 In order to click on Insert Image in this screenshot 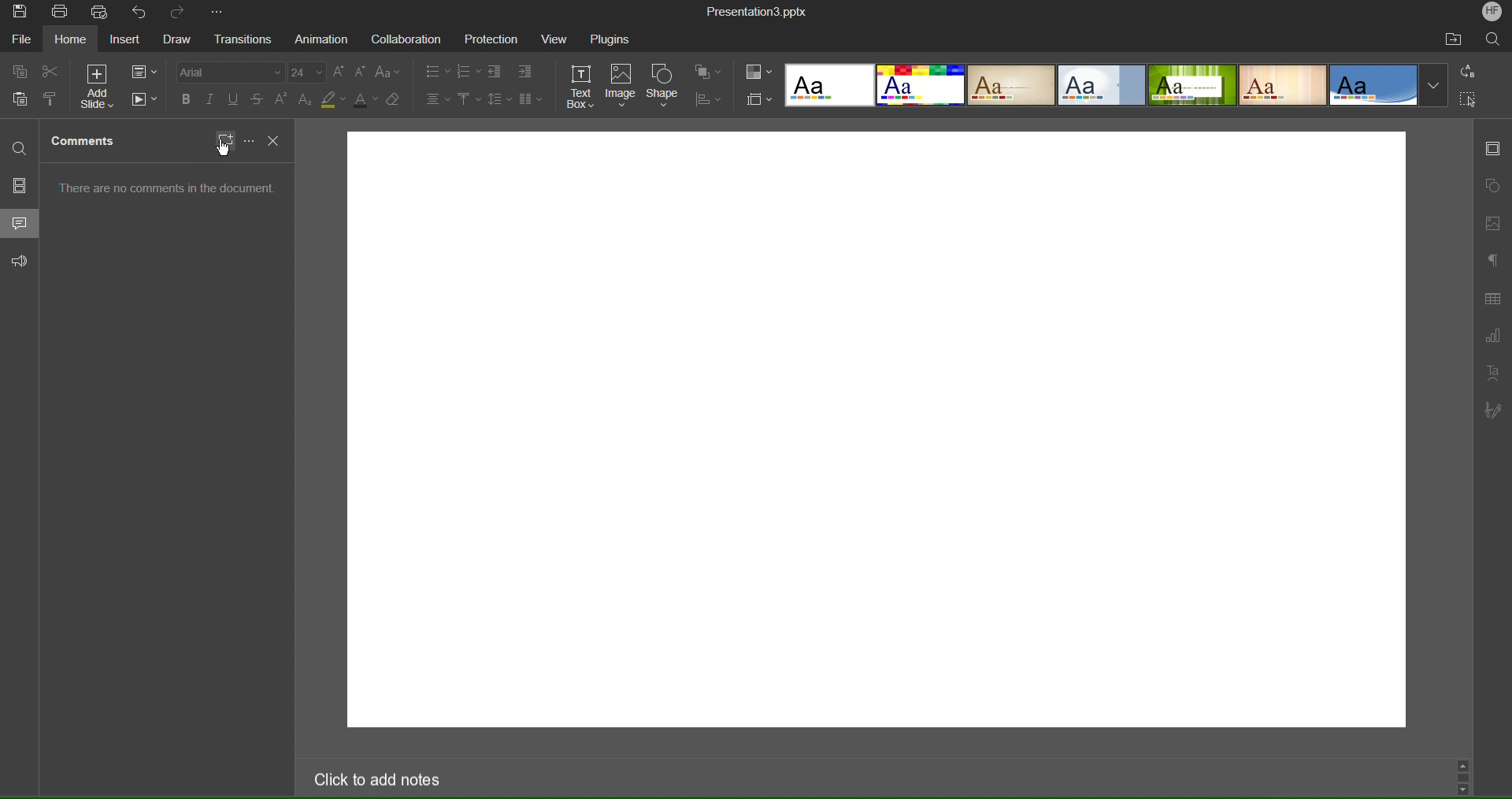, I will do `click(1493, 225)`.